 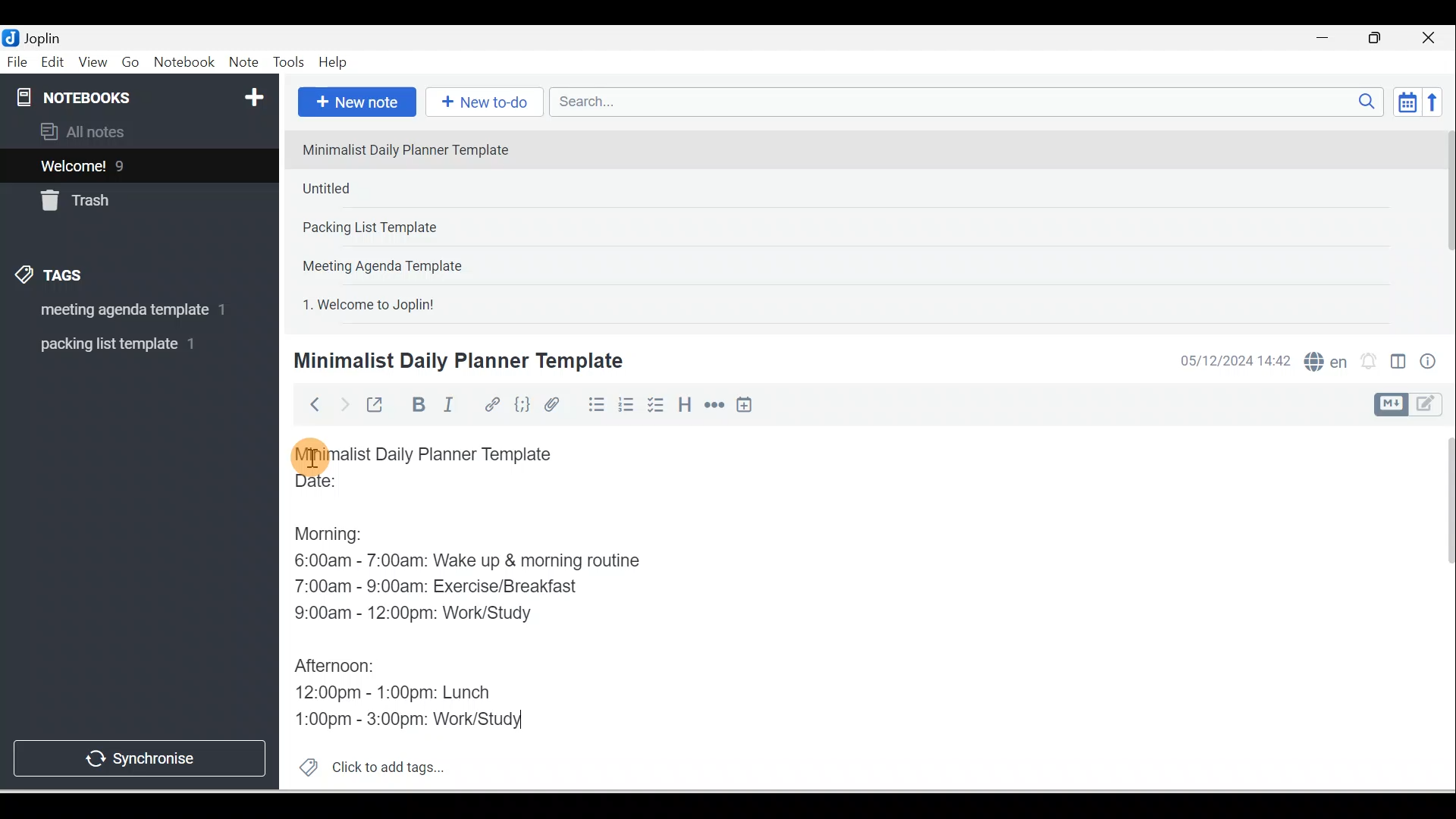 What do you see at coordinates (1444, 224) in the screenshot?
I see `Scroll bar` at bounding box center [1444, 224].